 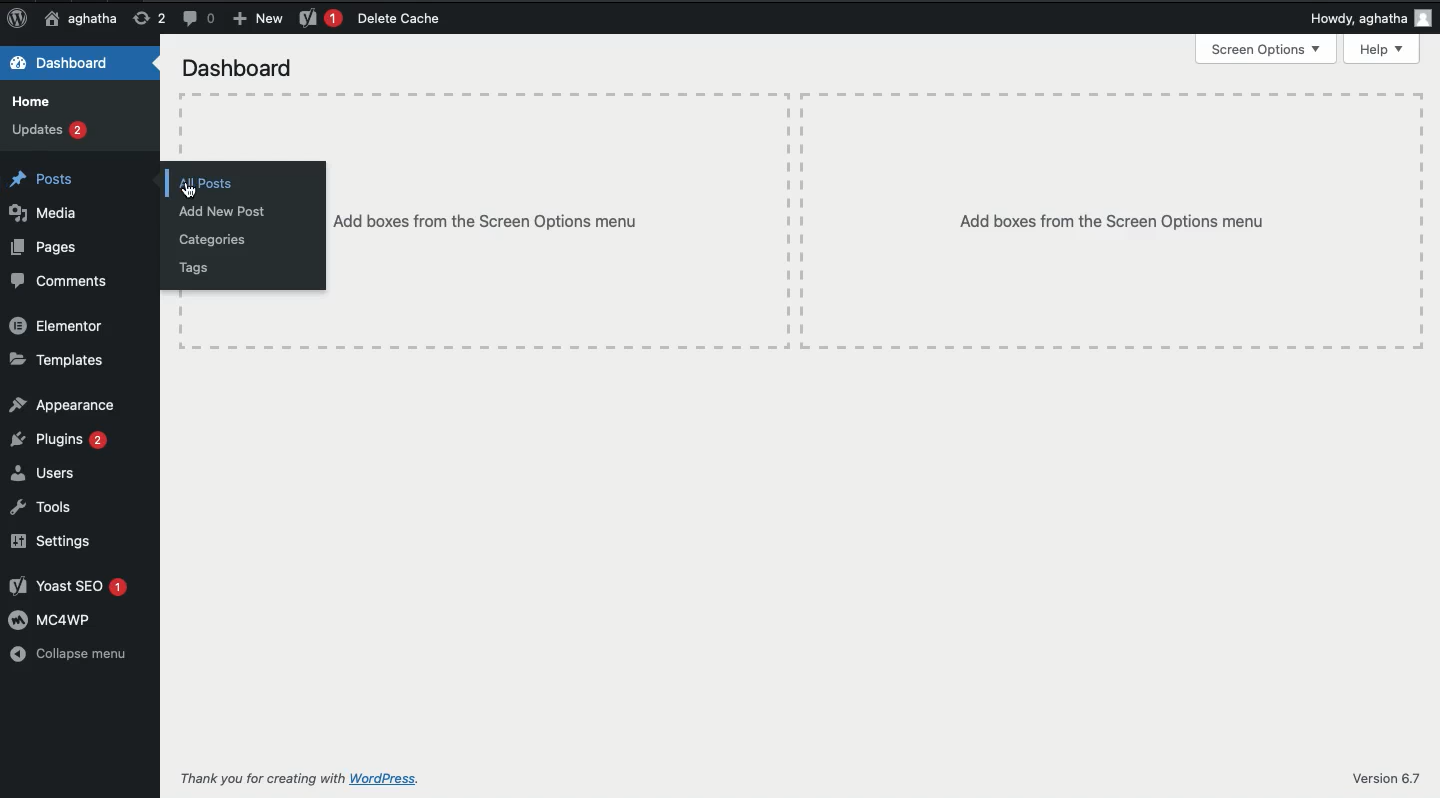 What do you see at coordinates (80, 19) in the screenshot?
I see `Home aghatha` at bounding box center [80, 19].